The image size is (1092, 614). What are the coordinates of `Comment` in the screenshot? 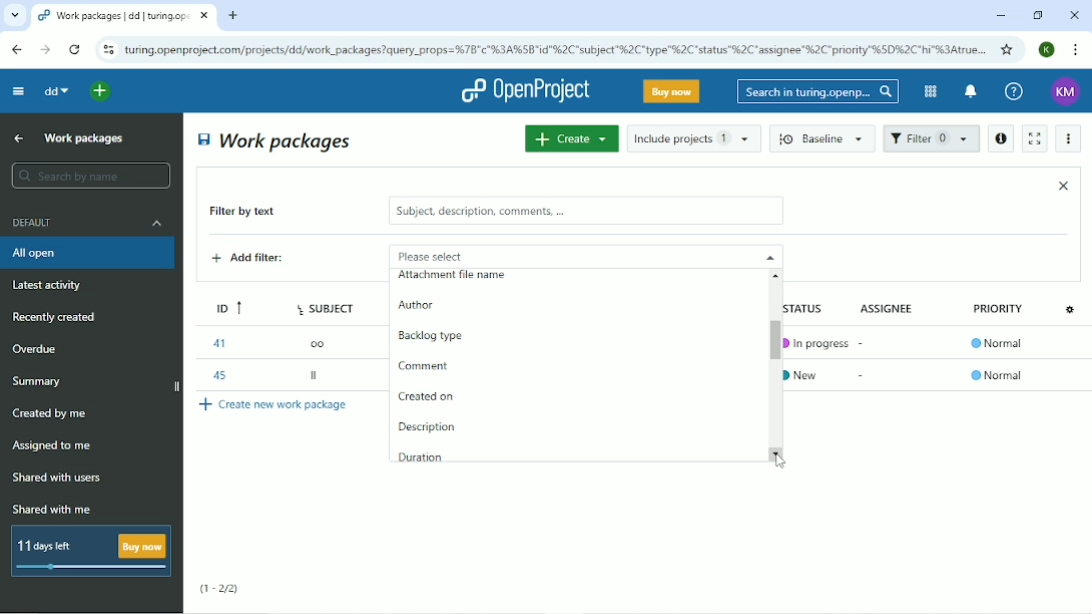 It's located at (427, 364).